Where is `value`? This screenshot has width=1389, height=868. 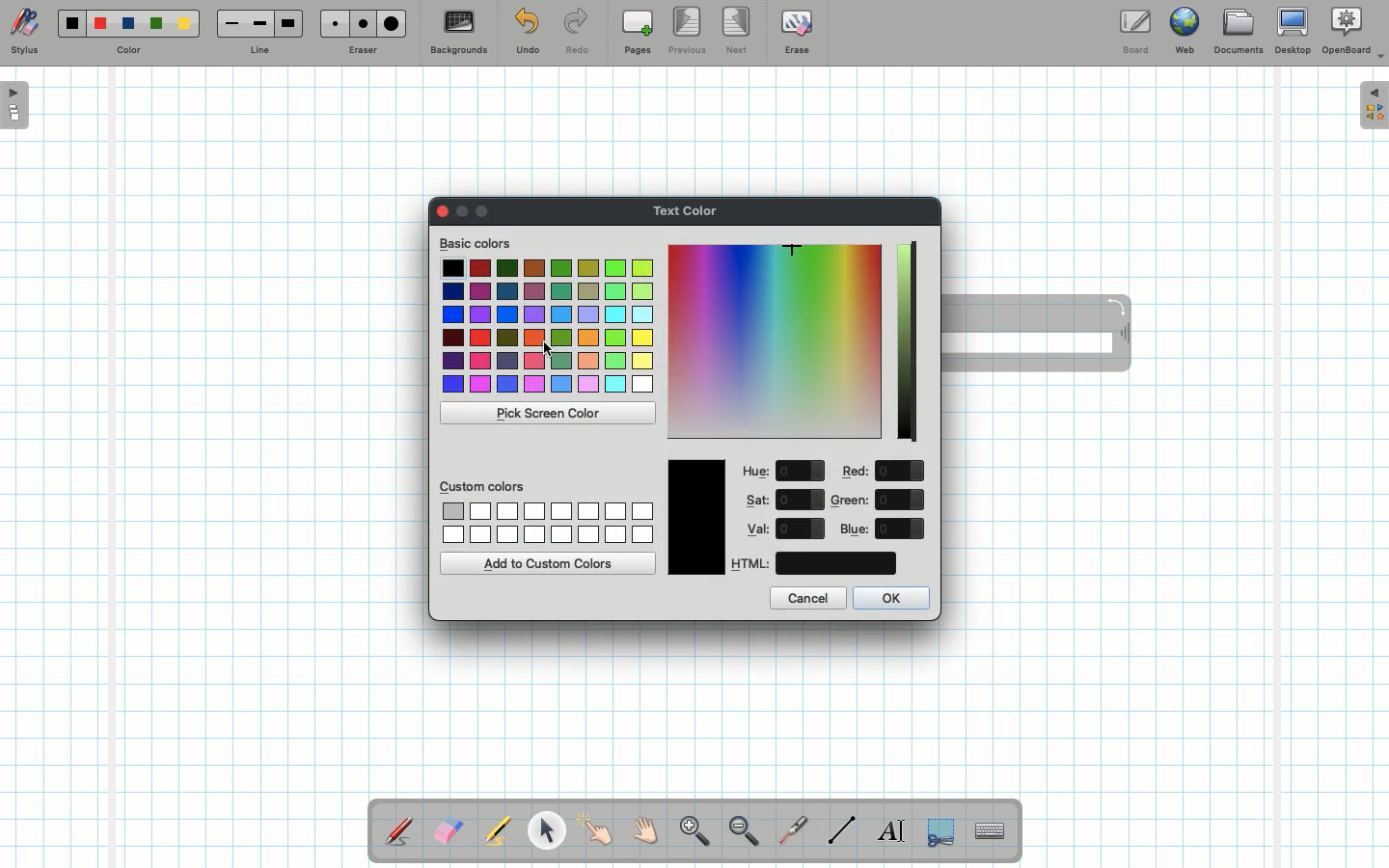
value is located at coordinates (901, 472).